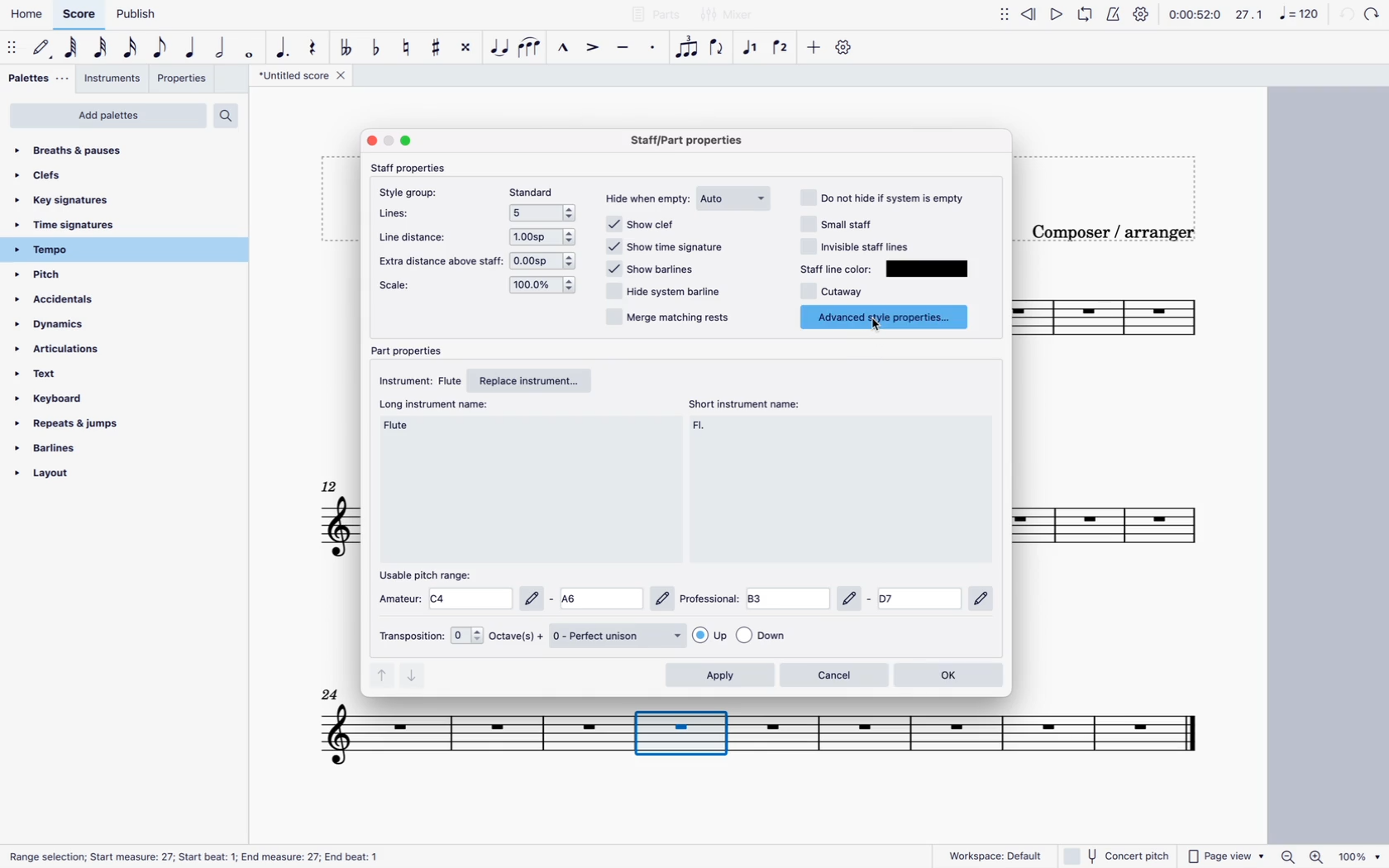 This screenshot has width=1389, height=868. I want to click on settings, so click(1143, 16).